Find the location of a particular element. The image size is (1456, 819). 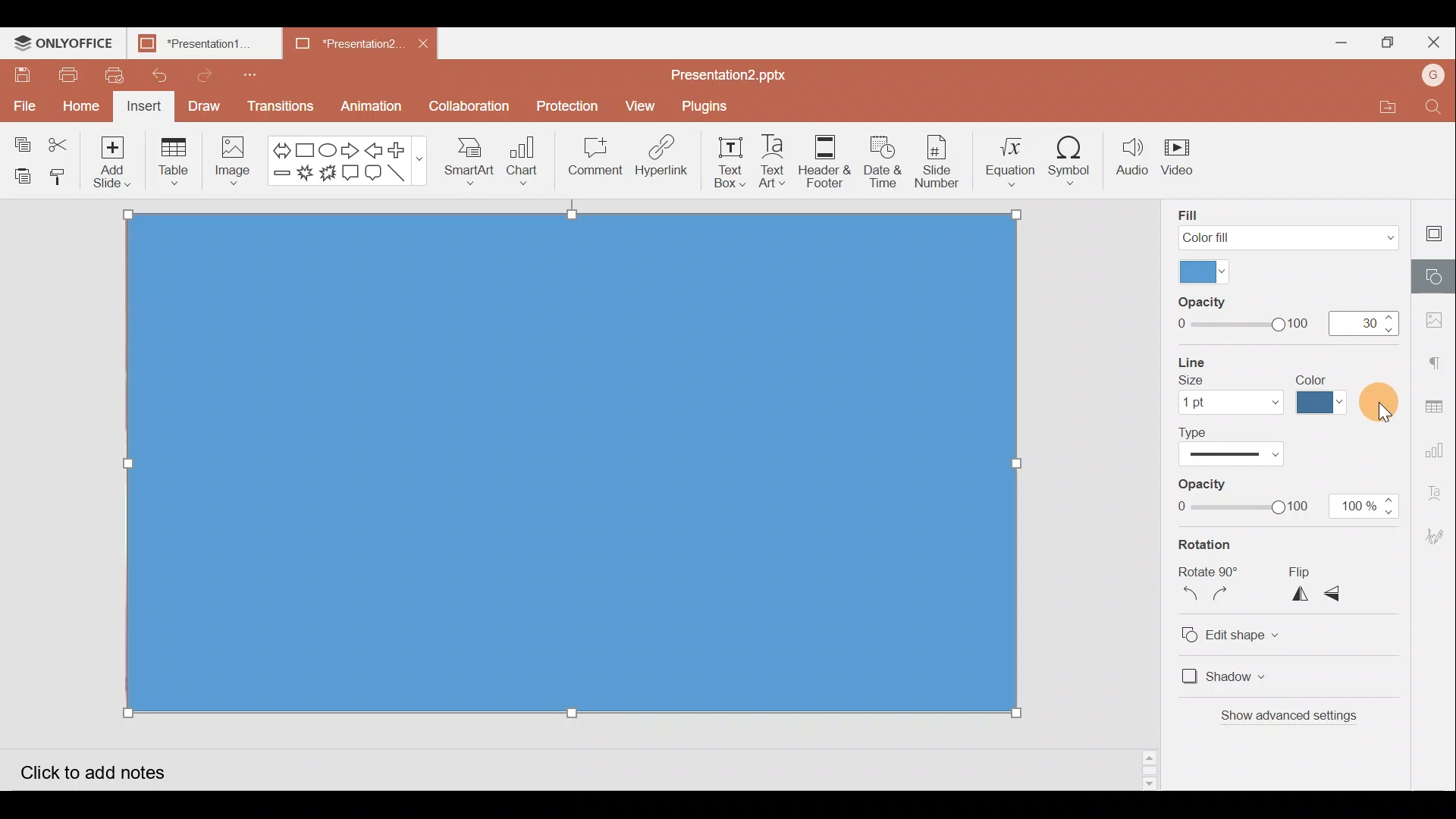

Chart settings is located at coordinates (1439, 444).